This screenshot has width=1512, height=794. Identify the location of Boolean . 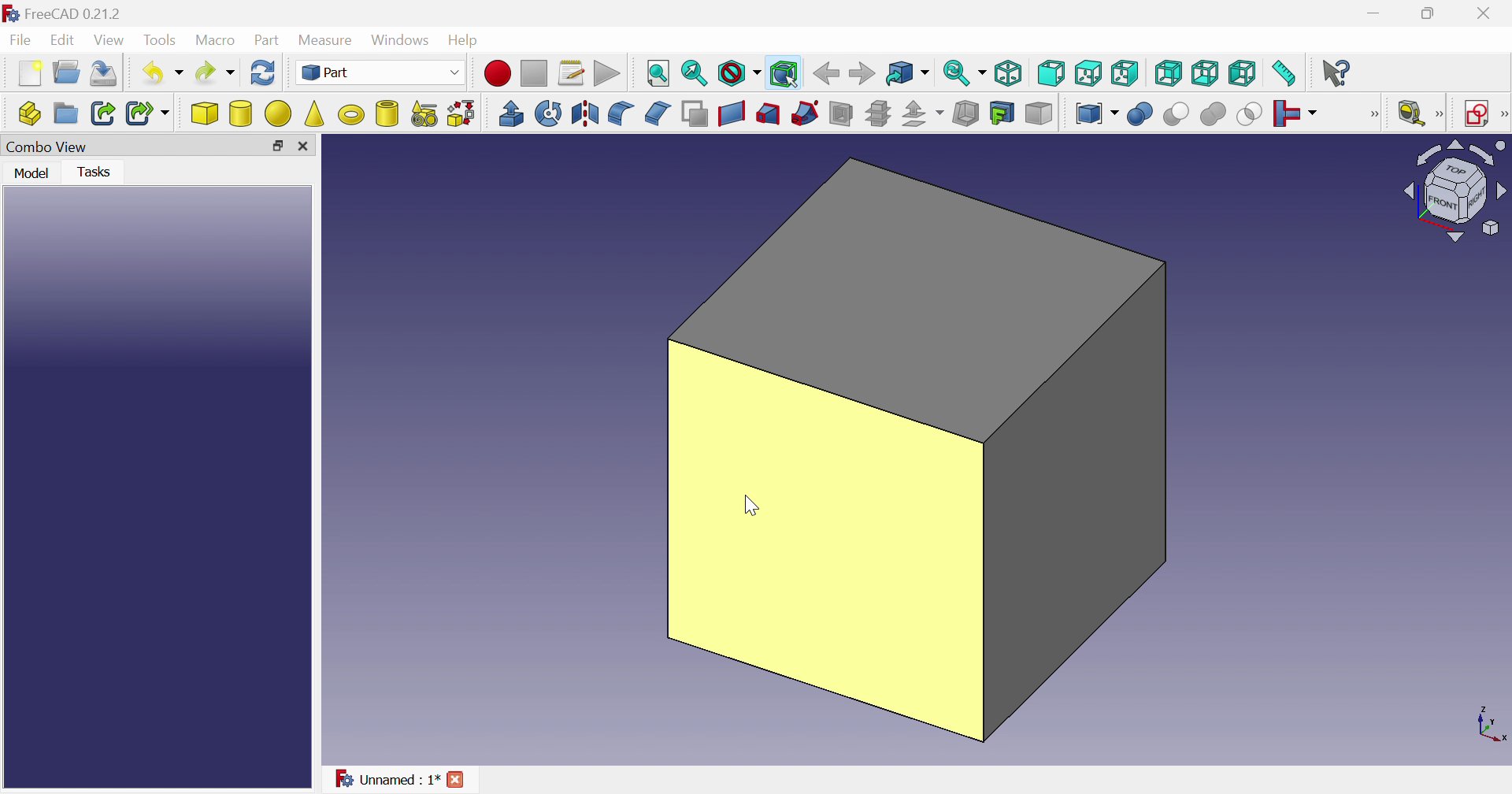
(1140, 114).